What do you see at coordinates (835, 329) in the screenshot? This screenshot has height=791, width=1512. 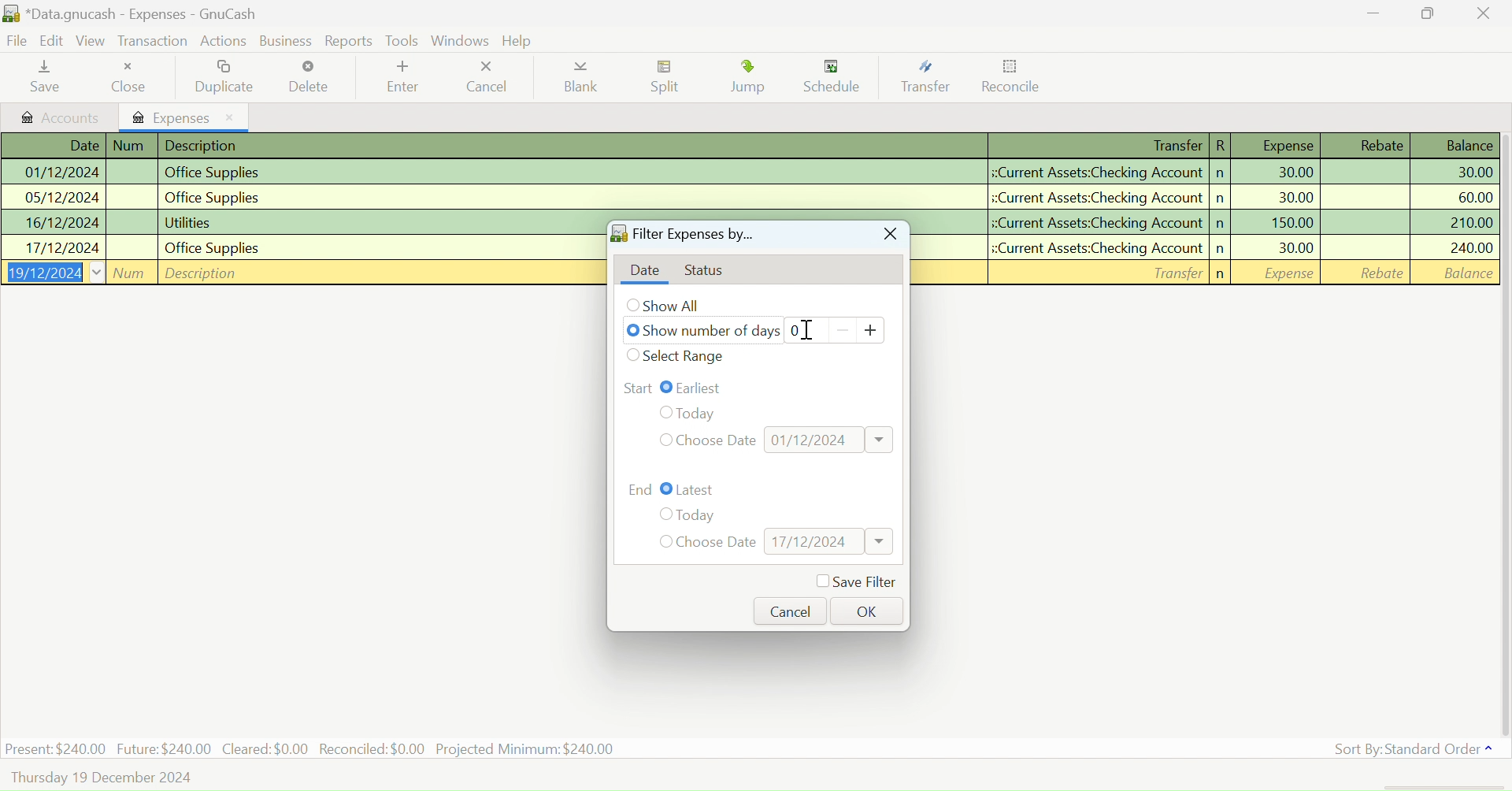 I see `Number of days counter` at bounding box center [835, 329].